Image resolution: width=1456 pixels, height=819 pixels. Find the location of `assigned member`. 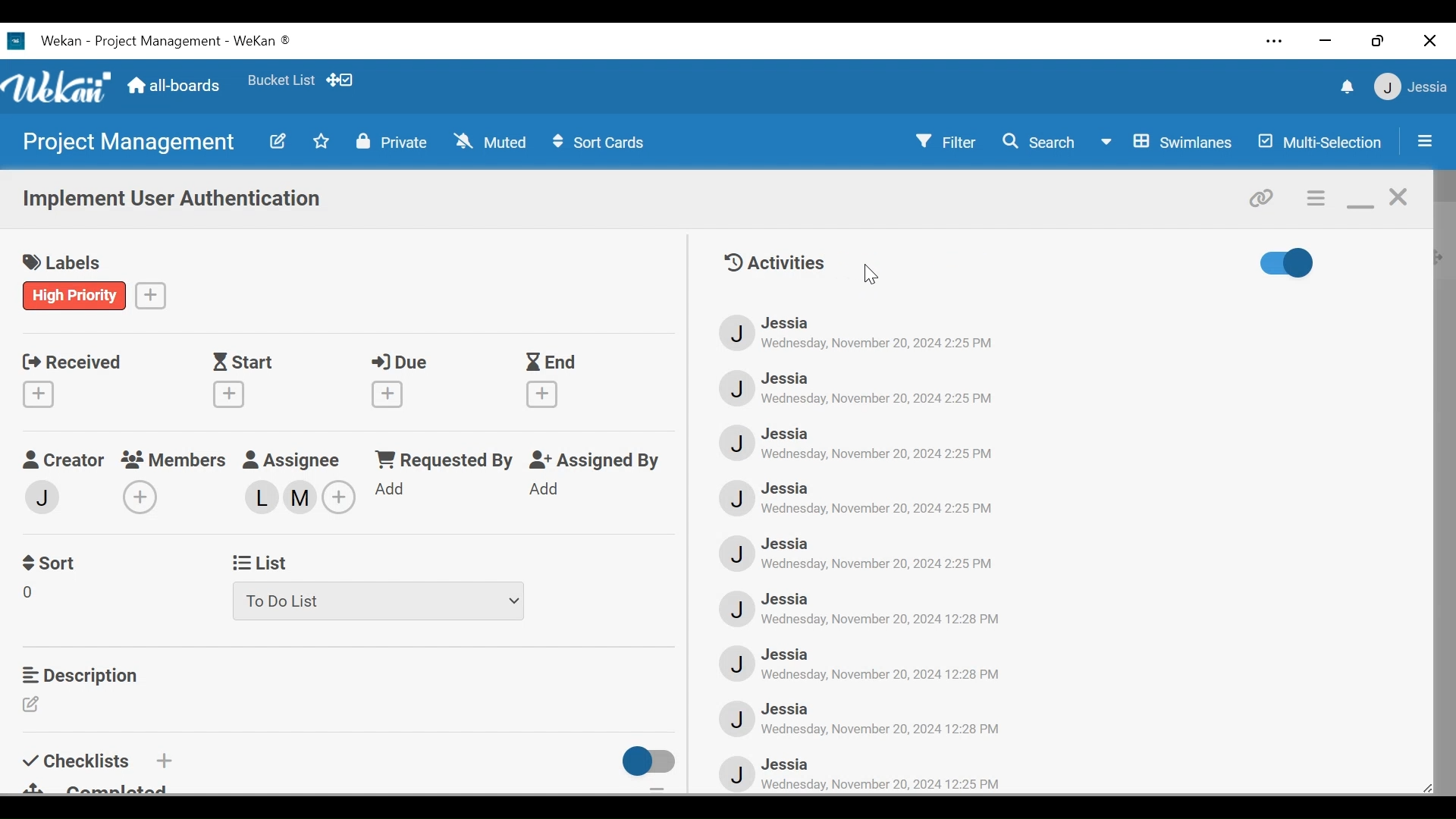

assigned member is located at coordinates (303, 496).